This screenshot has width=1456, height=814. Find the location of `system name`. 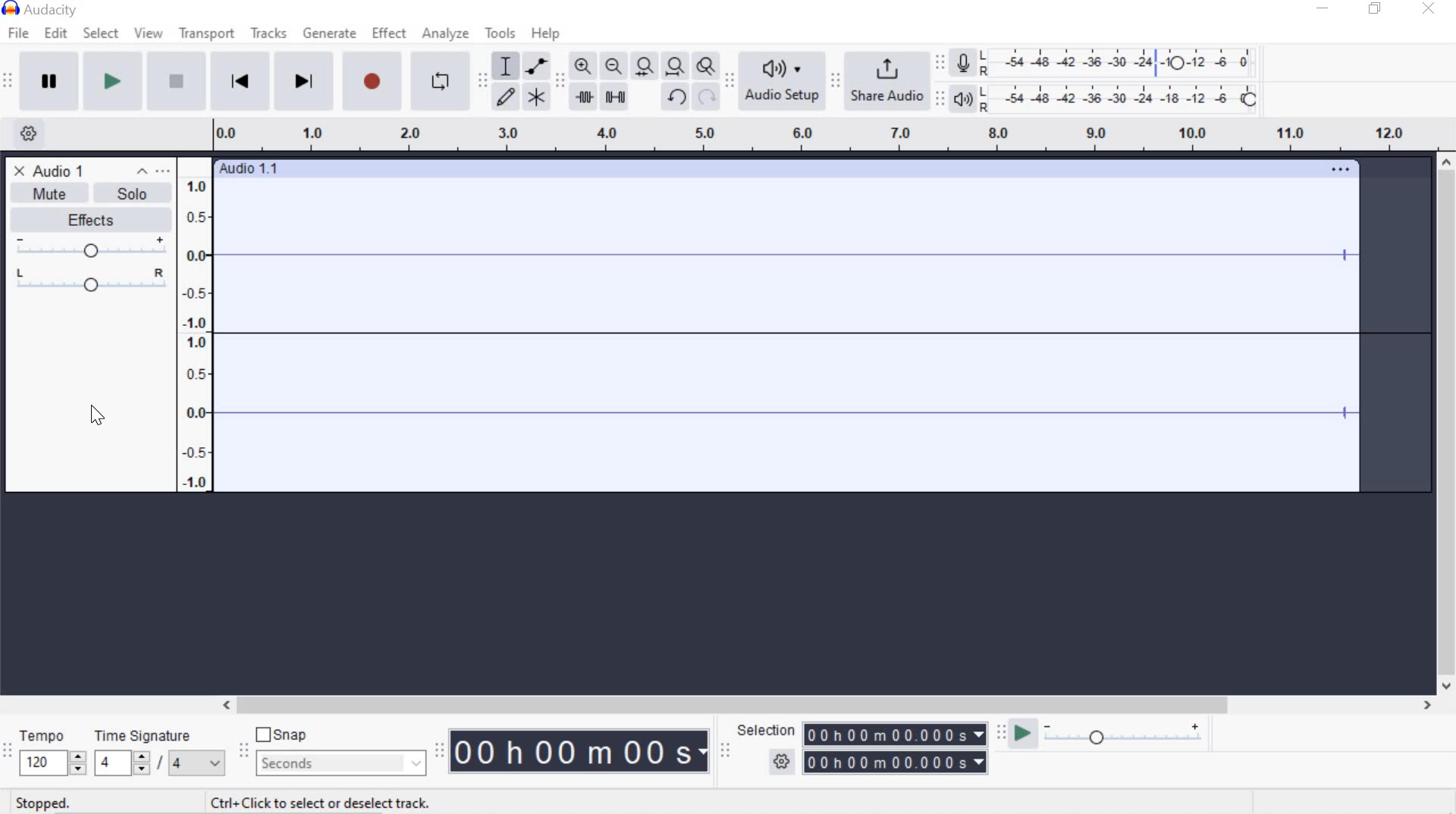

system name is located at coordinates (39, 10).